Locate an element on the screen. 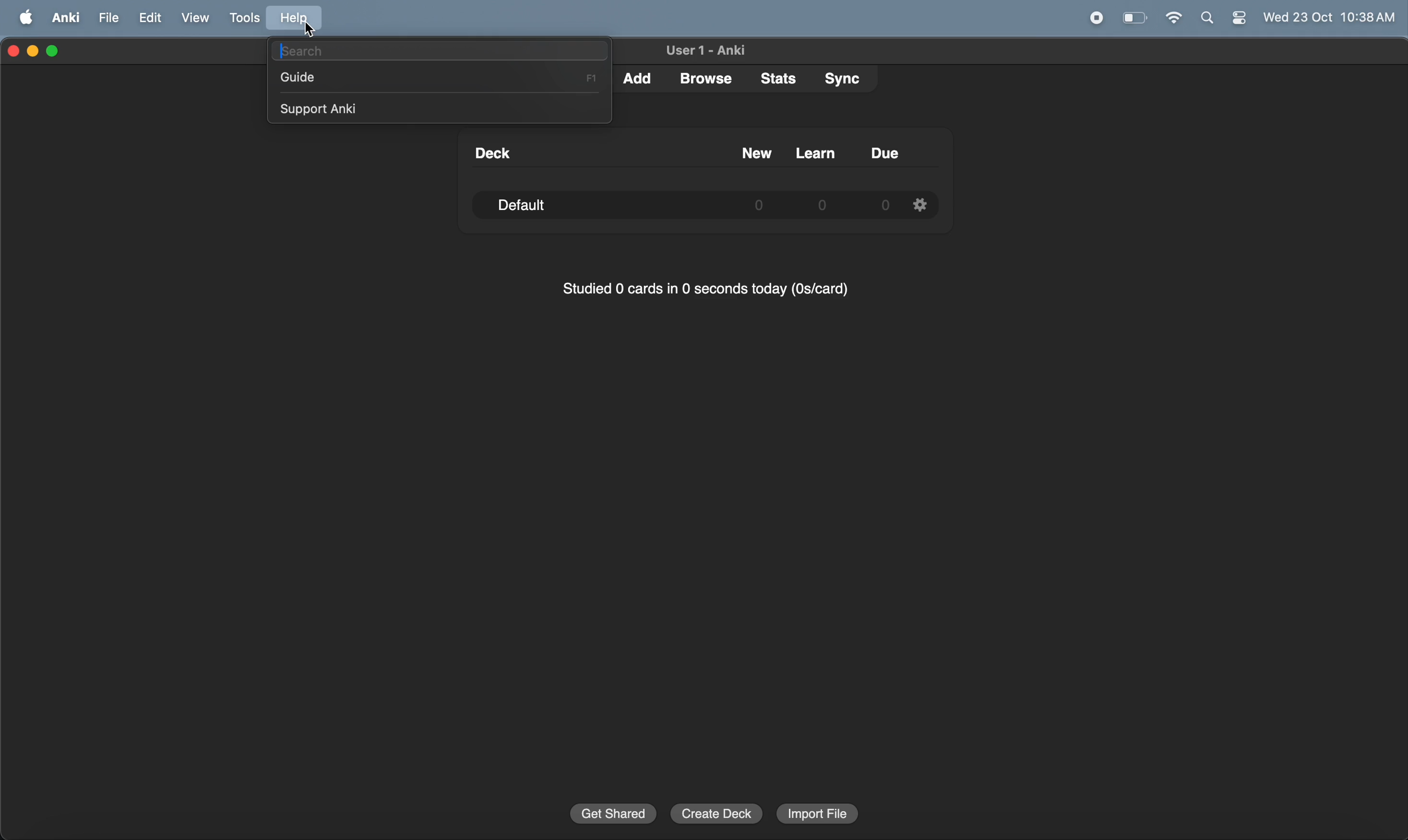 This screenshot has height=840, width=1408. add is located at coordinates (640, 77).